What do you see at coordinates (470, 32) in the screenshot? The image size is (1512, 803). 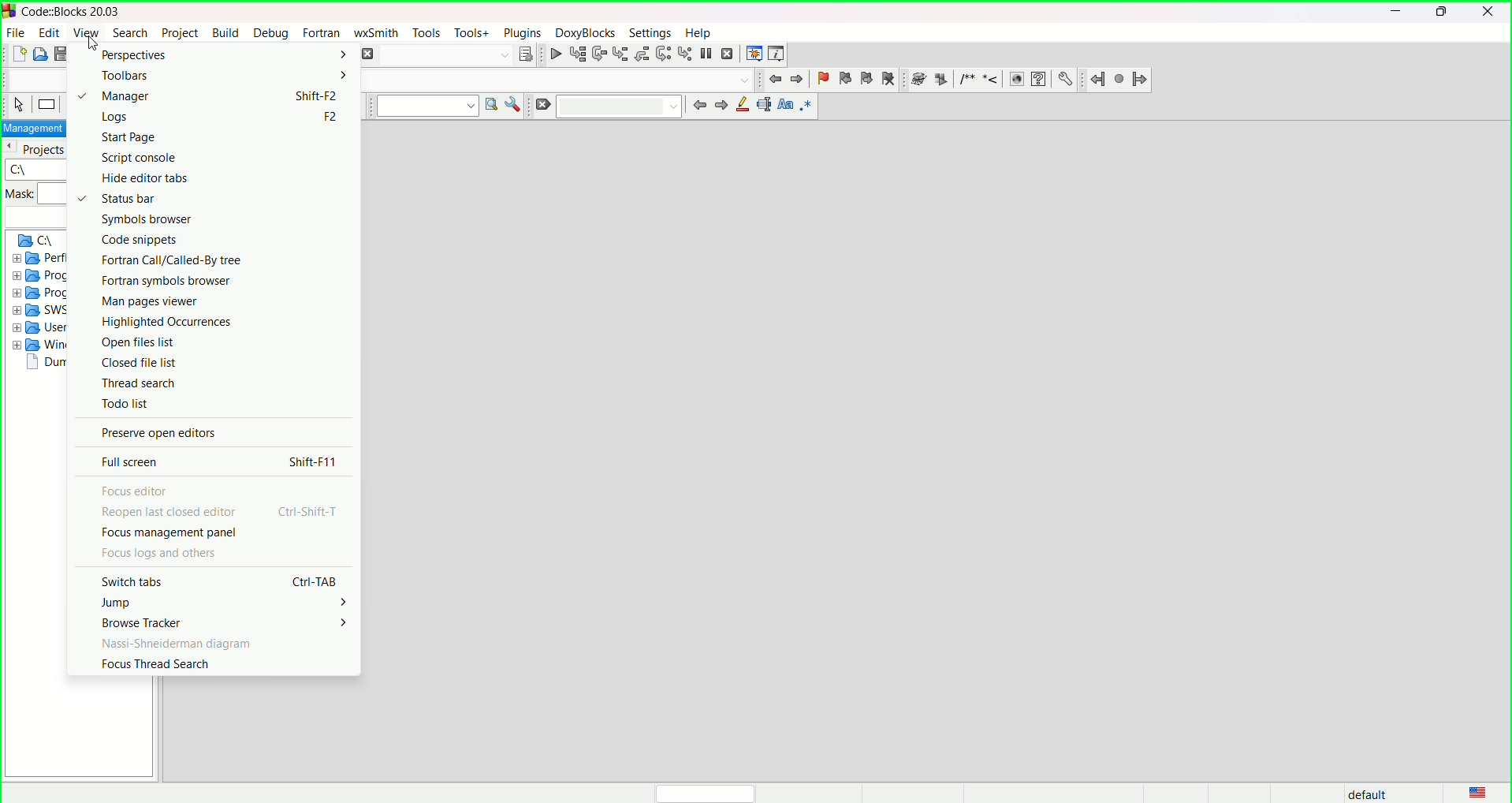 I see `tools+` at bounding box center [470, 32].